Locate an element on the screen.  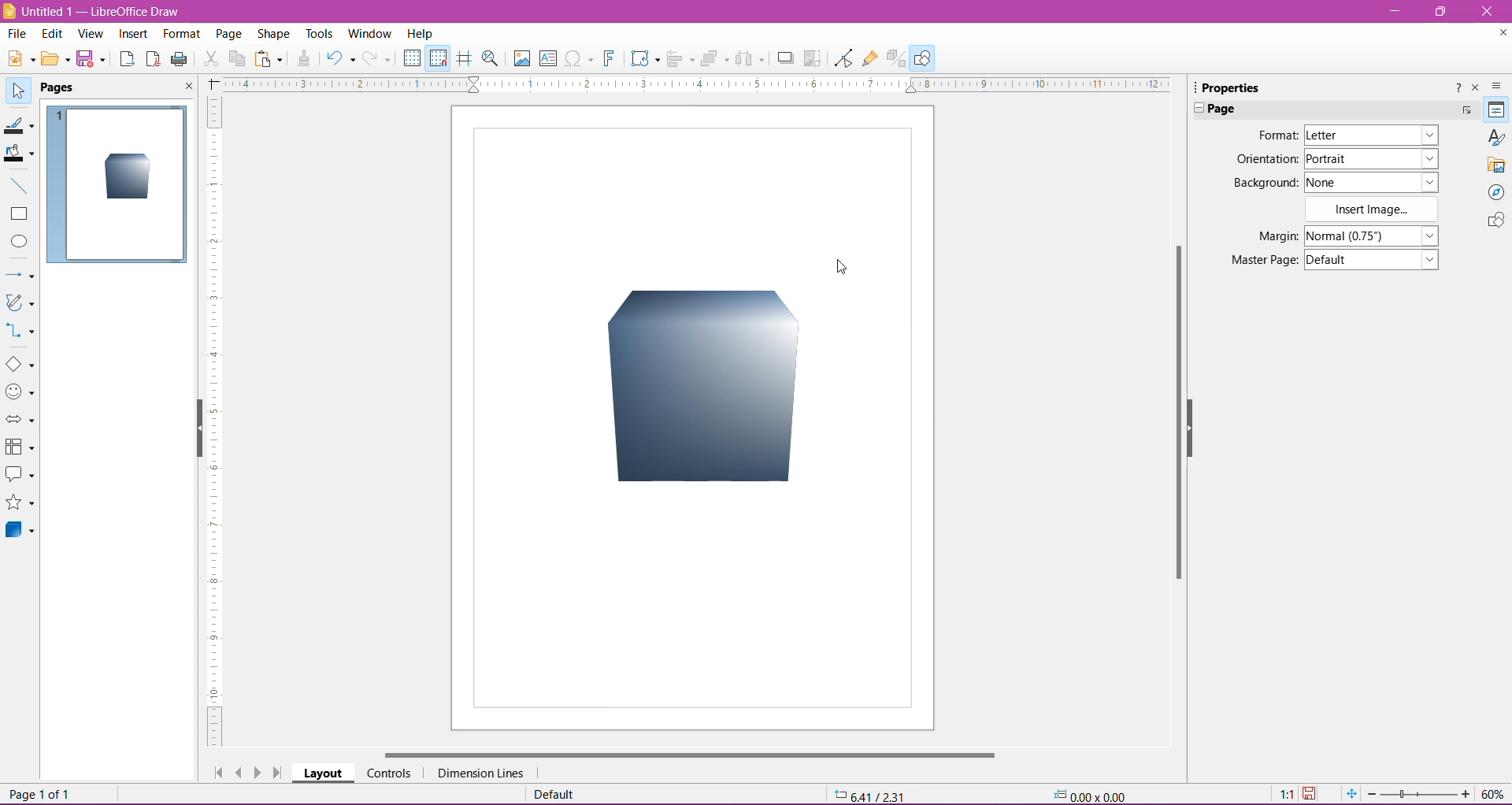
New is located at coordinates (19, 57).